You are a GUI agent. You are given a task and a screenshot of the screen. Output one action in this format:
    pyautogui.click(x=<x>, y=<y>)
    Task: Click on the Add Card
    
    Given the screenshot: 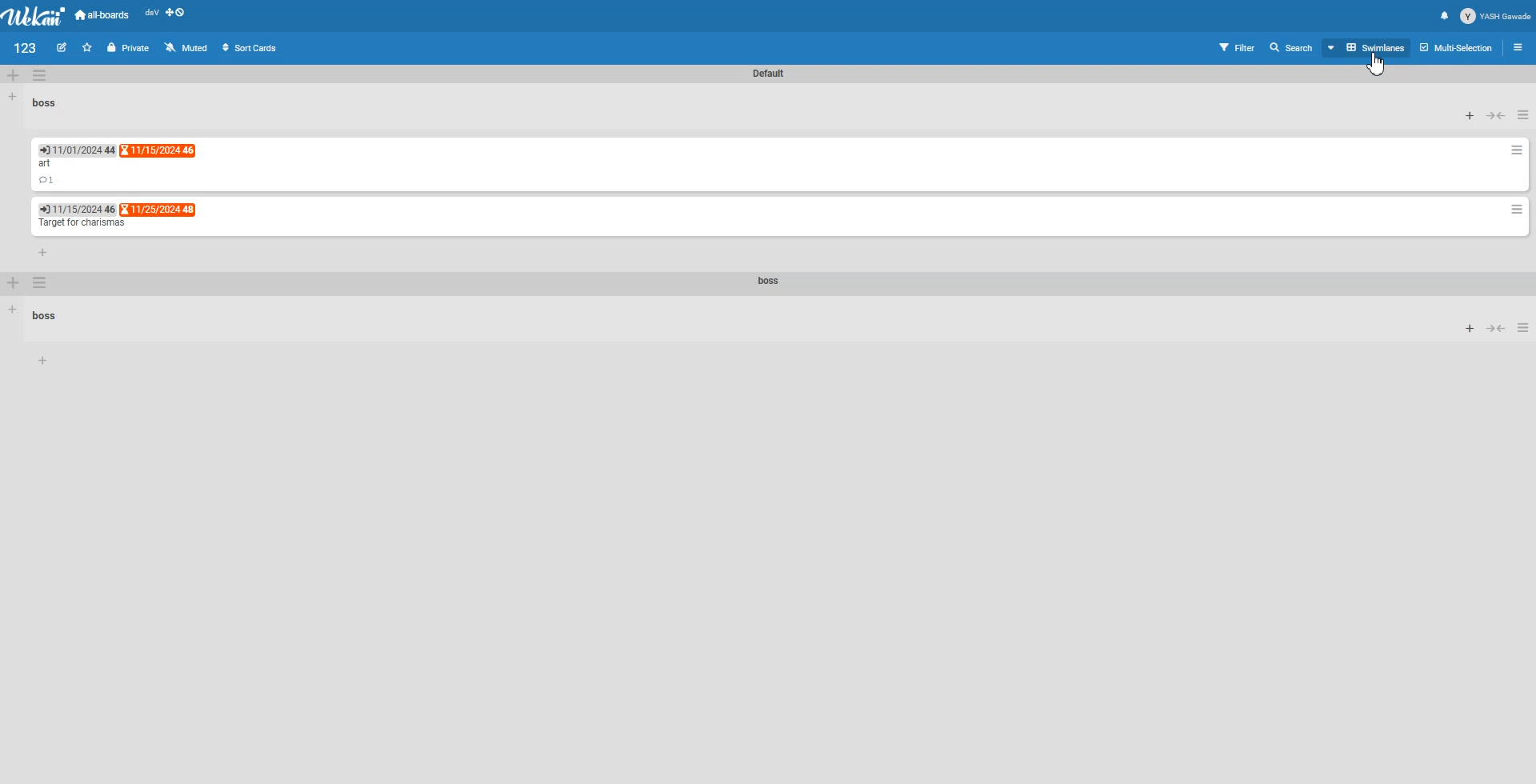 What is the action you would take?
    pyautogui.click(x=43, y=361)
    